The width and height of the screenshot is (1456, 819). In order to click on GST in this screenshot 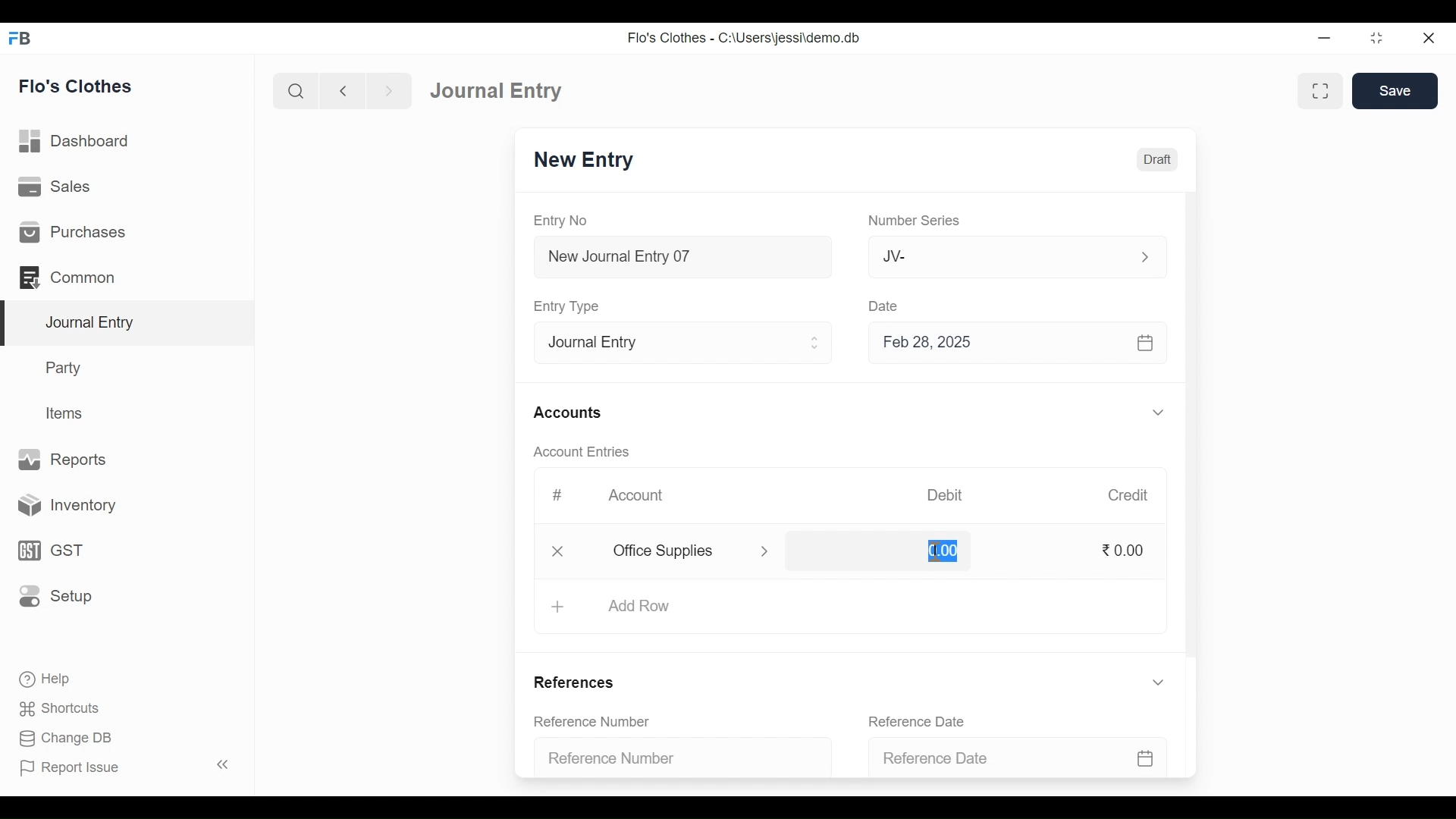, I will do `click(49, 552)`.